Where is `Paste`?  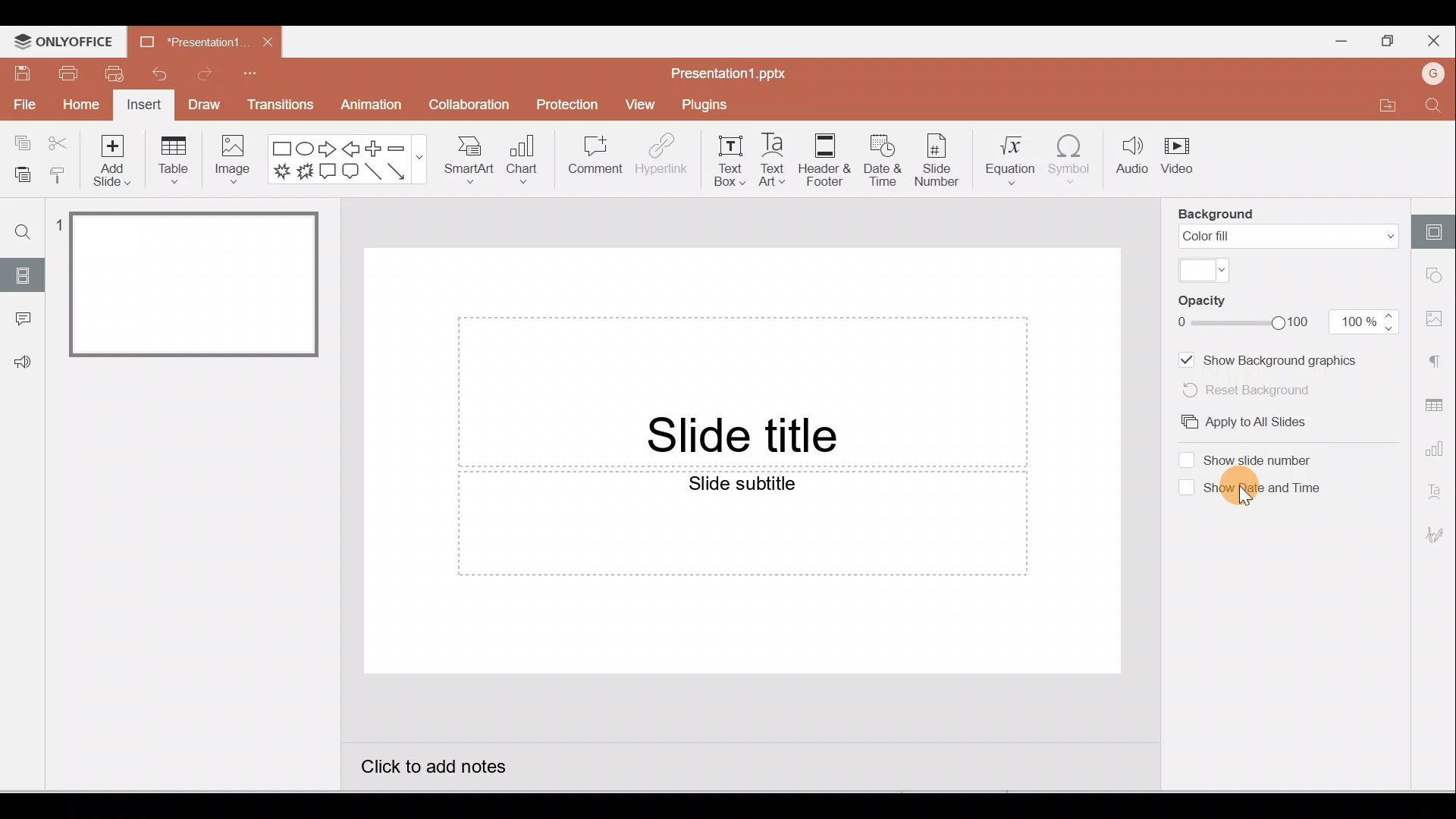
Paste is located at coordinates (18, 172).